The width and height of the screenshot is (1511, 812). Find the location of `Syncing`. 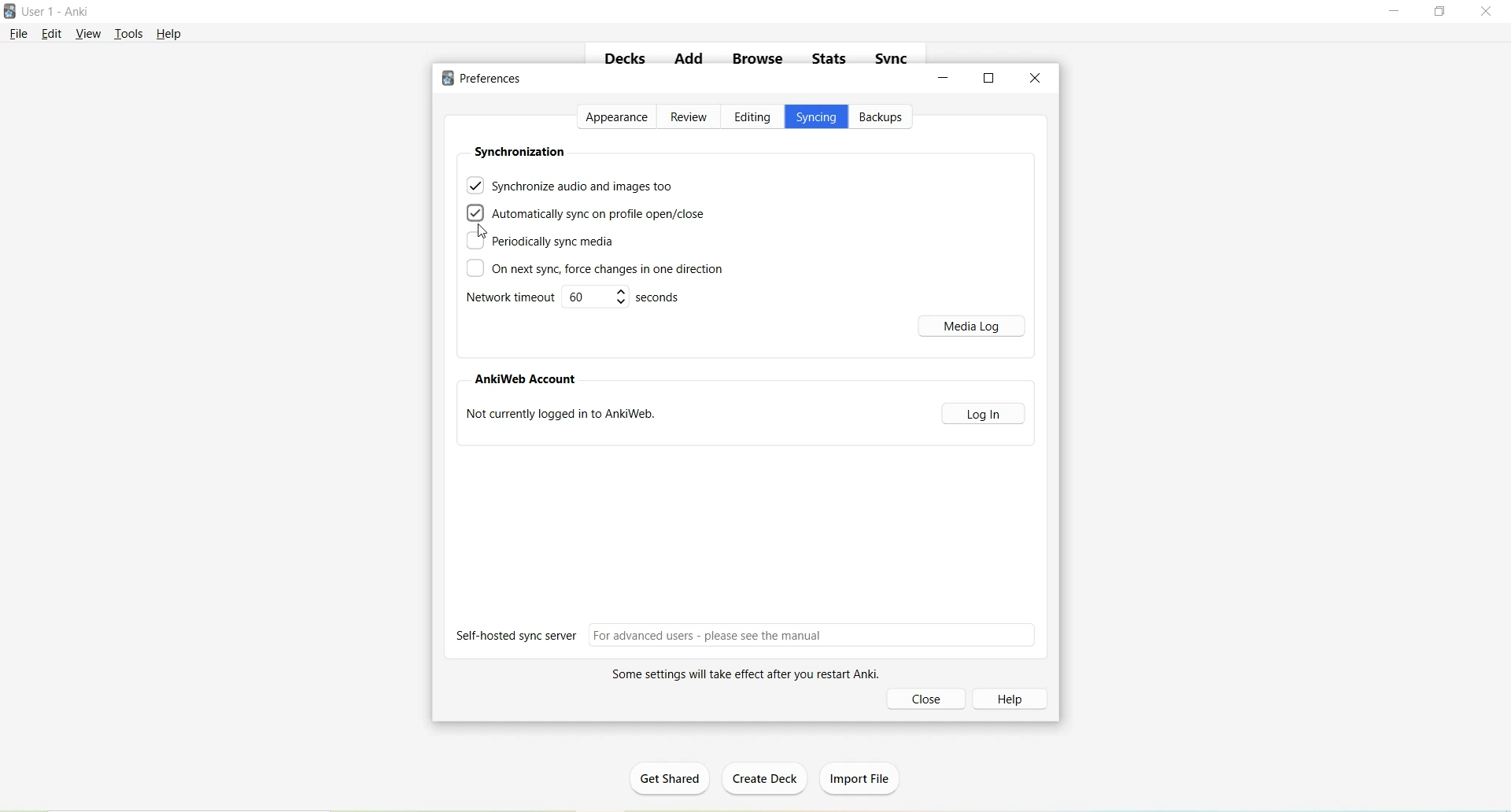

Syncing is located at coordinates (816, 119).